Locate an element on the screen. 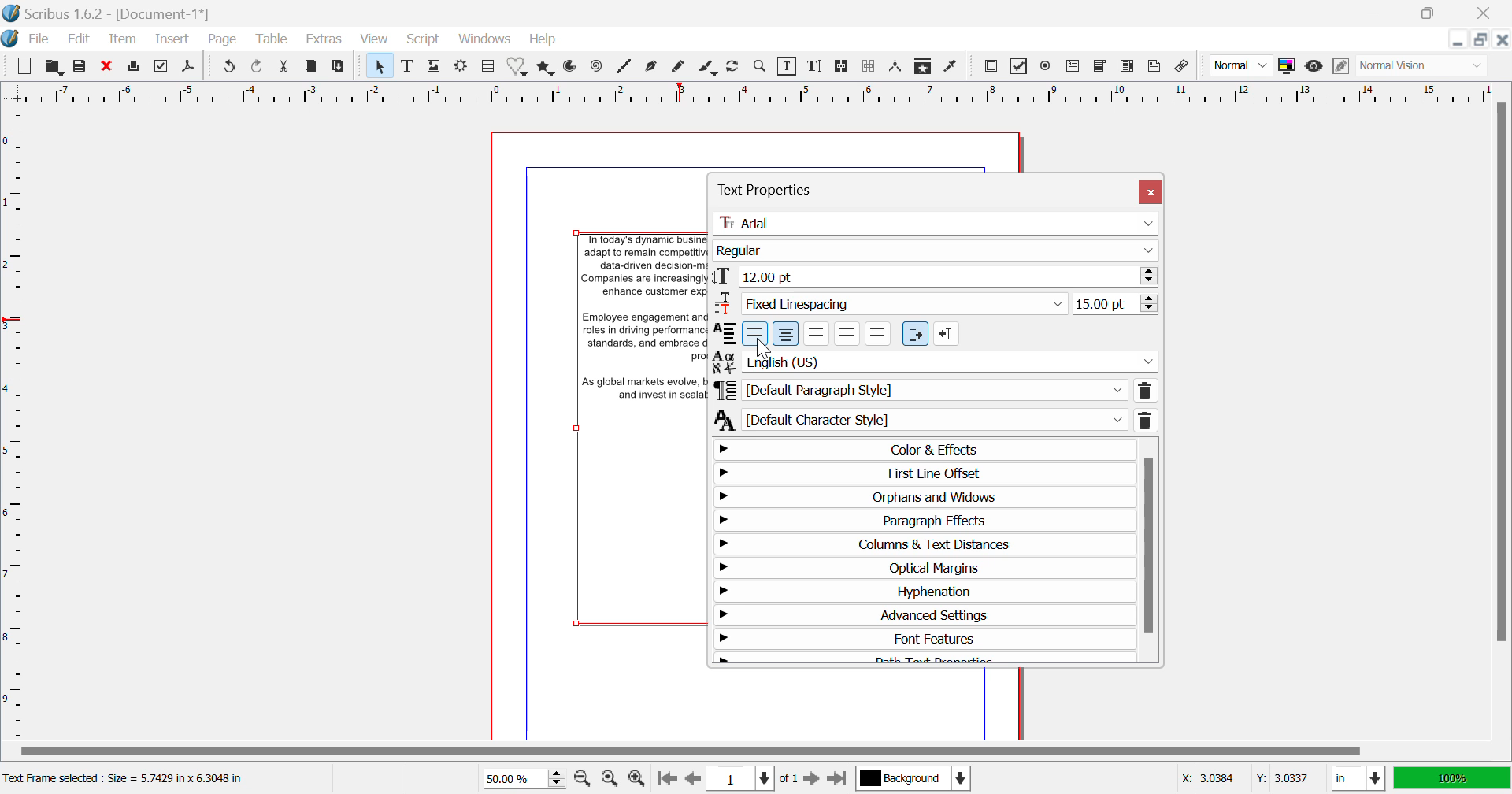 This screenshot has height=794, width=1512. Meausrement Units is located at coordinates (1359, 779).